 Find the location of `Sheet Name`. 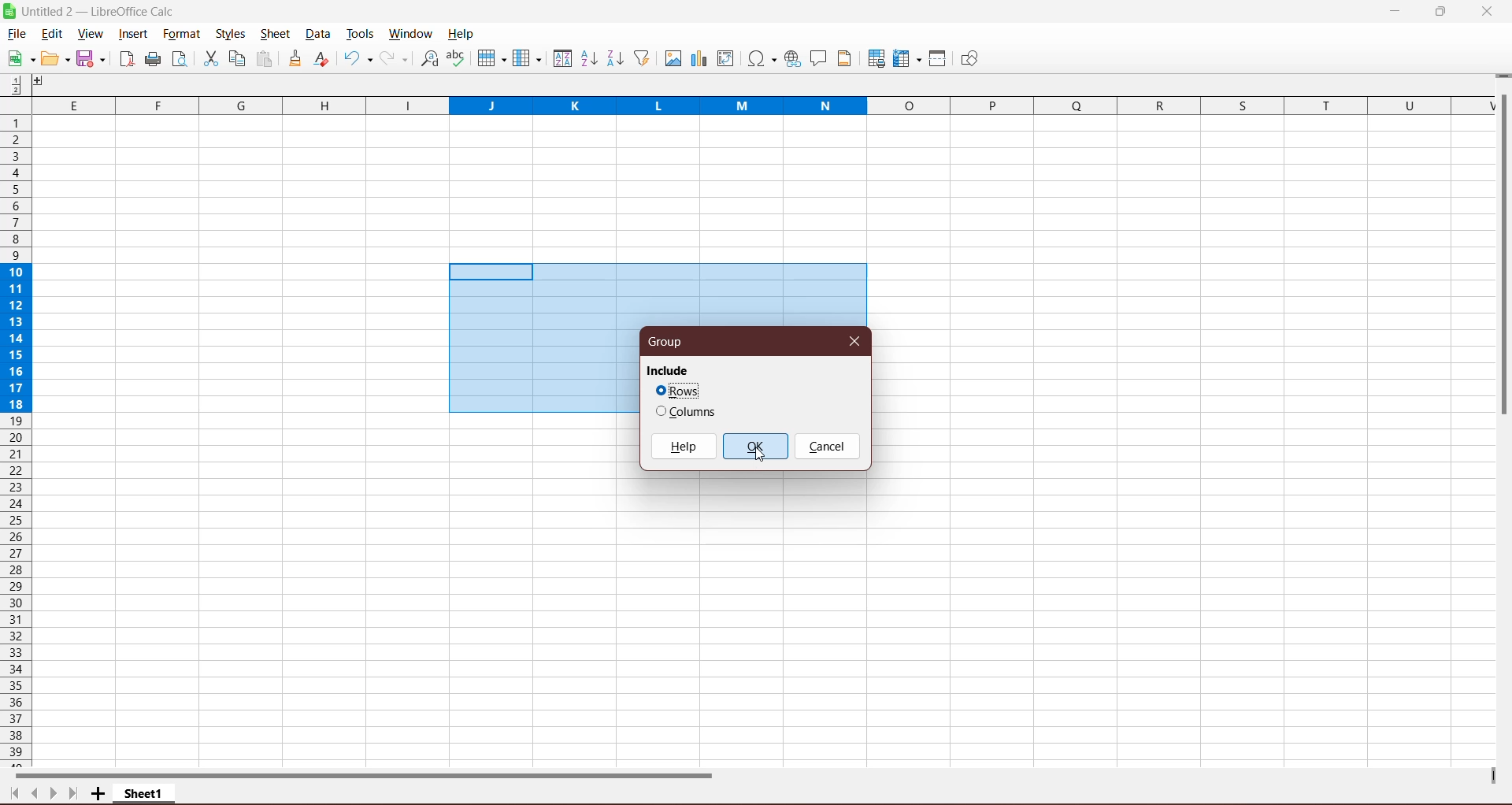

Sheet Name is located at coordinates (146, 793).